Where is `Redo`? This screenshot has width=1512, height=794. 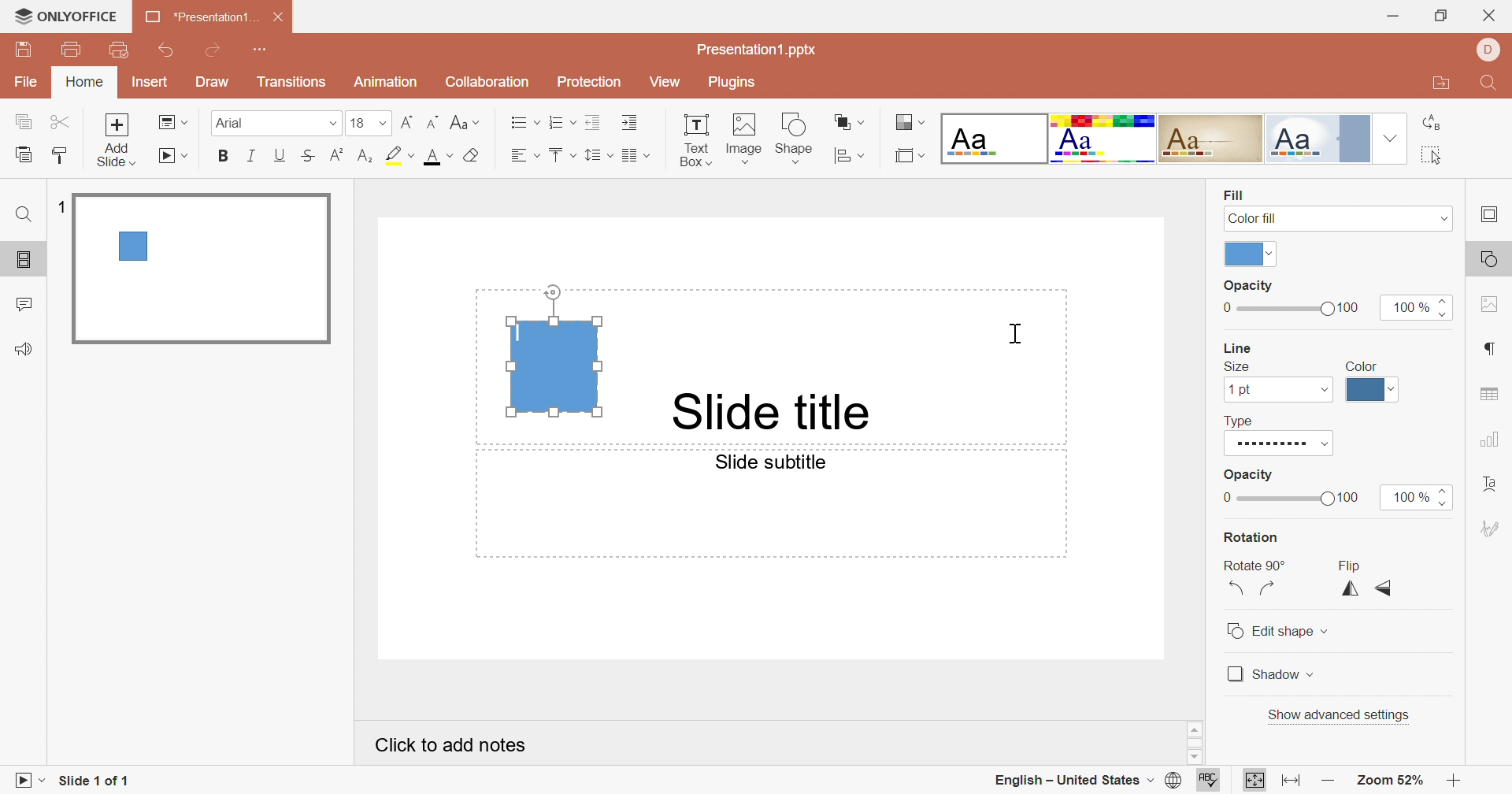
Redo is located at coordinates (223, 54).